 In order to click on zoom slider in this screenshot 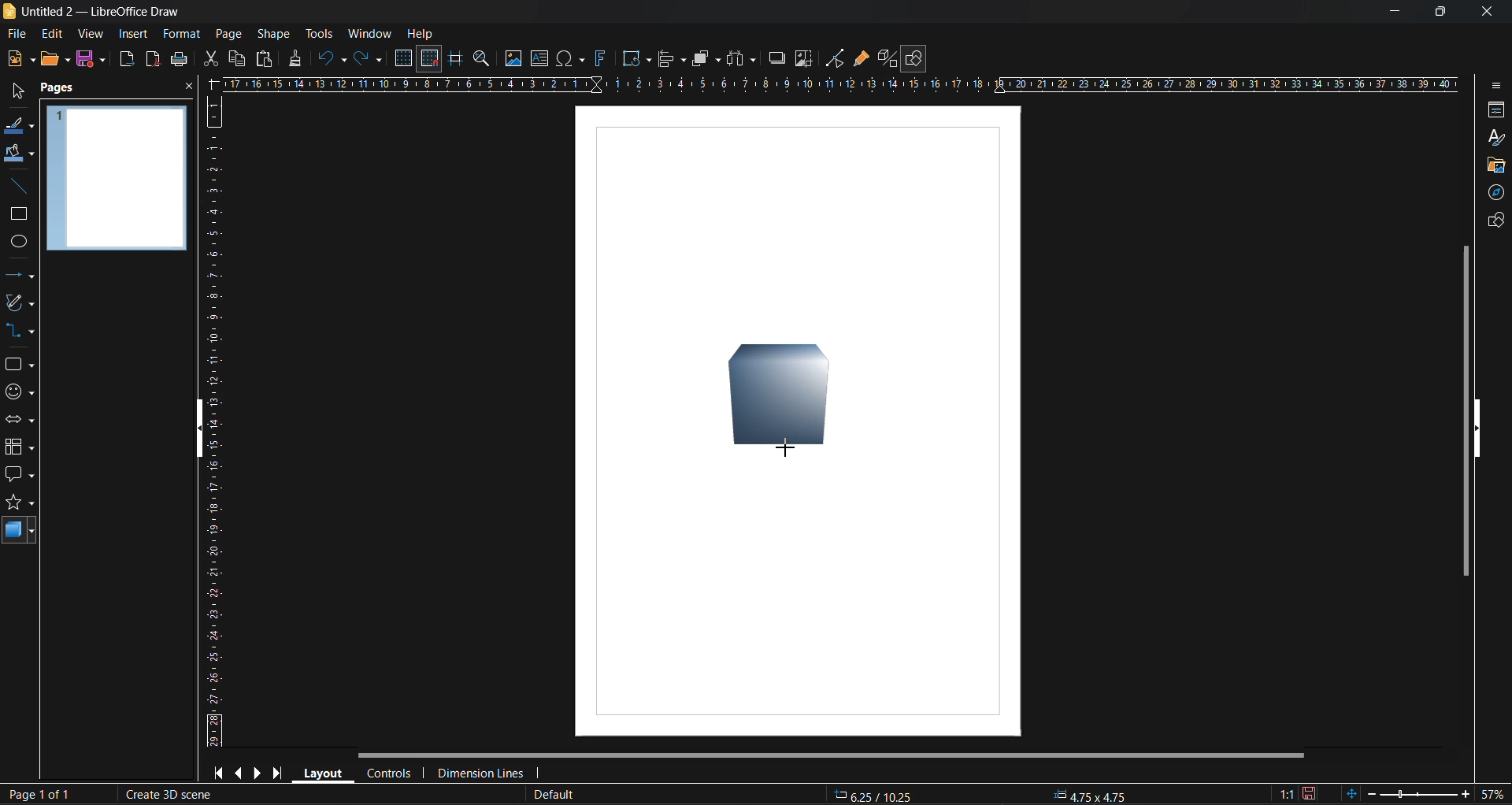, I will do `click(1418, 793)`.